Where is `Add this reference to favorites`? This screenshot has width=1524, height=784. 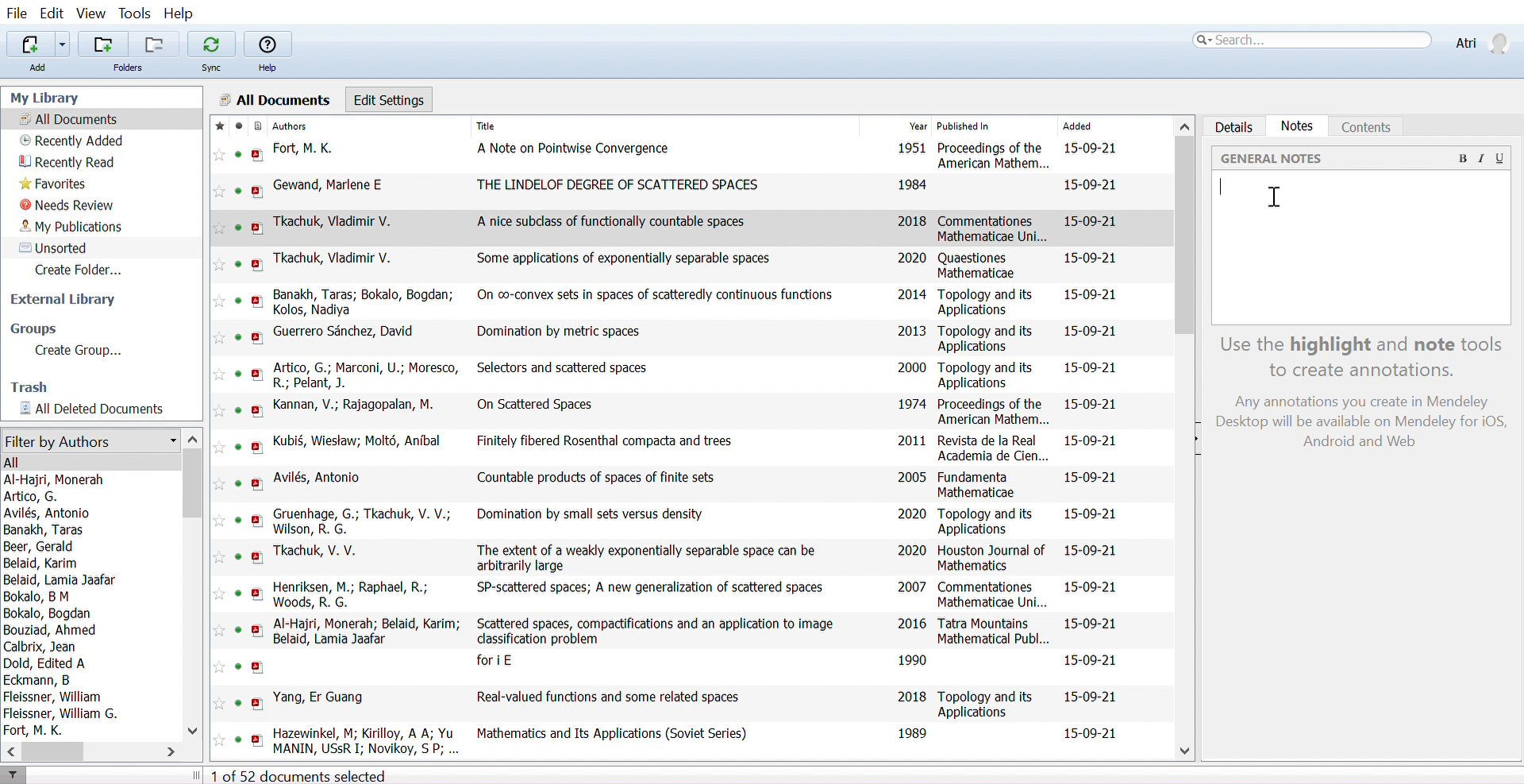 Add this reference to favorites is located at coordinates (219, 375).